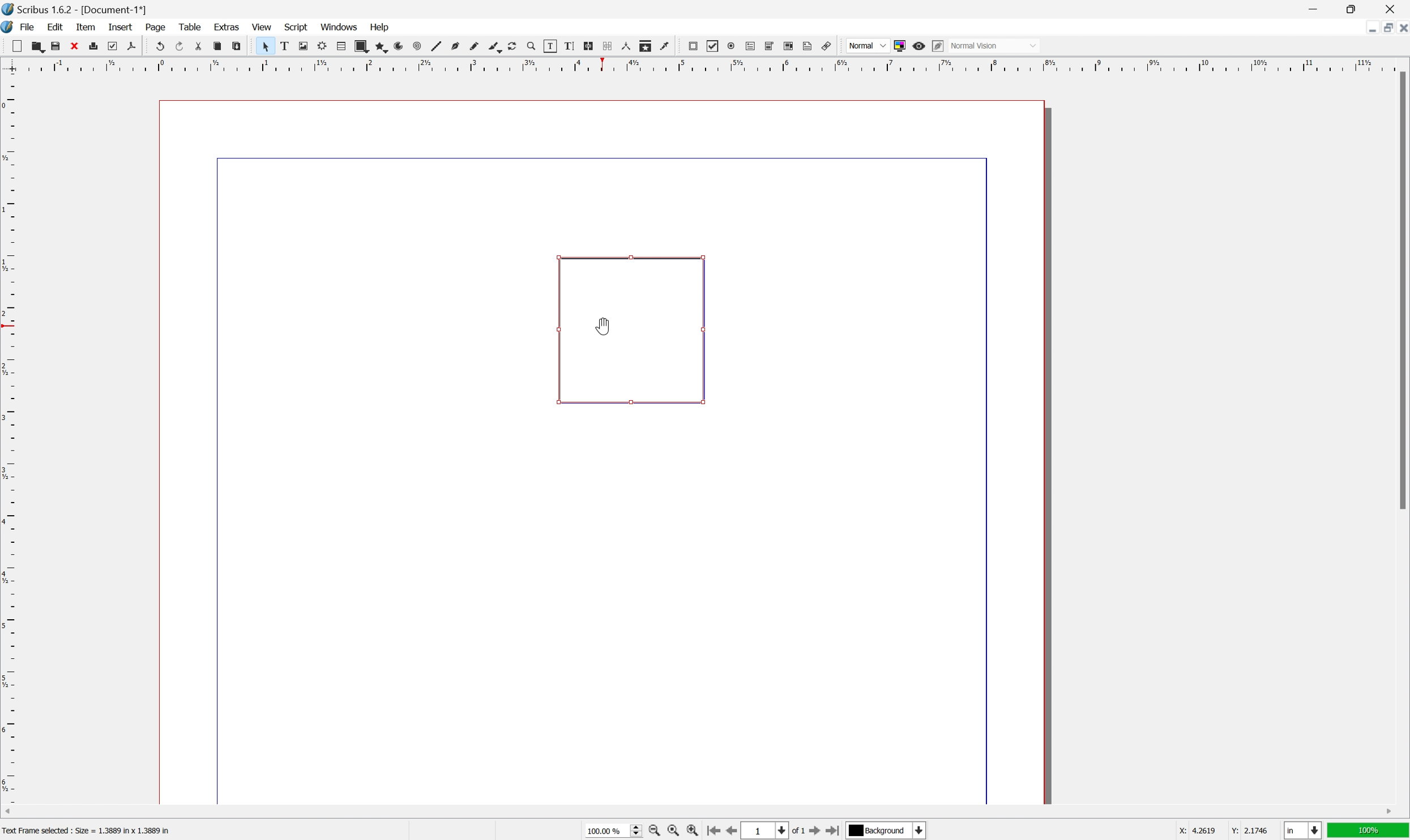 This screenshot has width=1410, height=840. Describe the element at coordinates (729, 830) in the screenshot. I see `go to previous page` at that location.